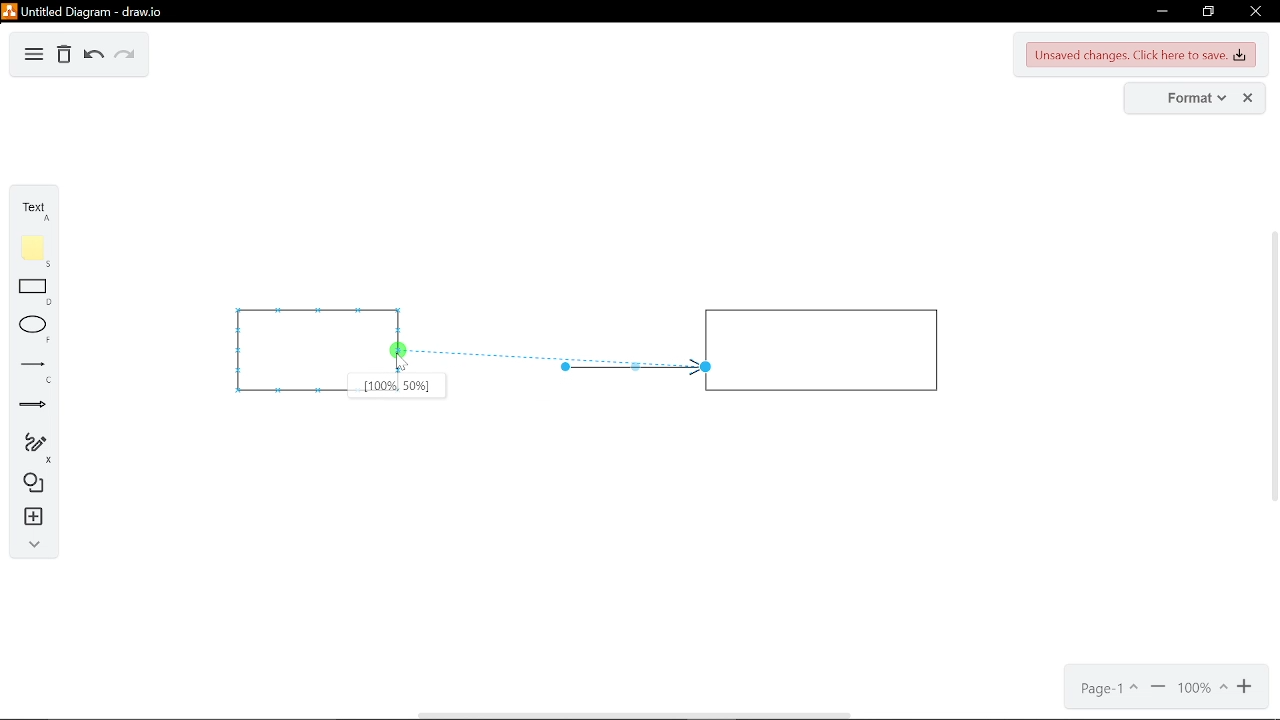  Describe the element at coordinates (90, 12) in the screenshot. I see `untitled document - draw.io` at that location.